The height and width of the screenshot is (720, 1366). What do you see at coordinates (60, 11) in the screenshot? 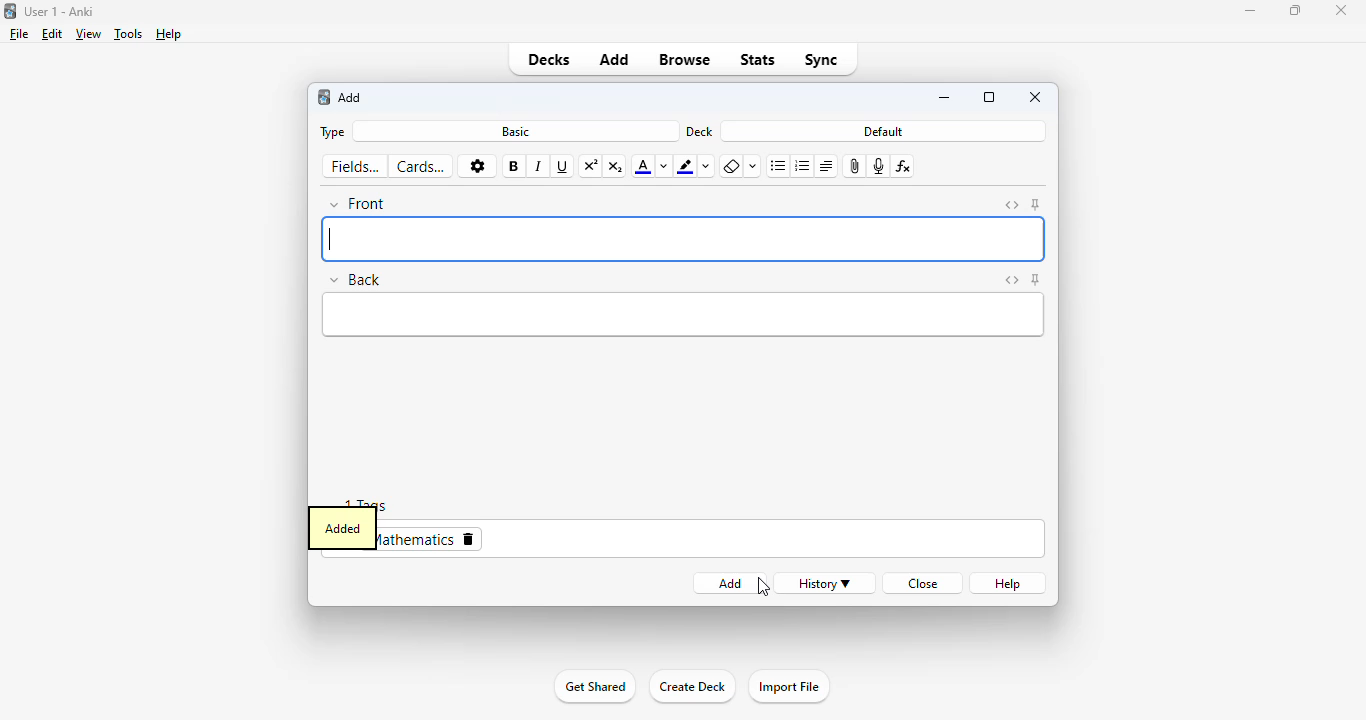
I see `title` at bounding box center [60, 11].